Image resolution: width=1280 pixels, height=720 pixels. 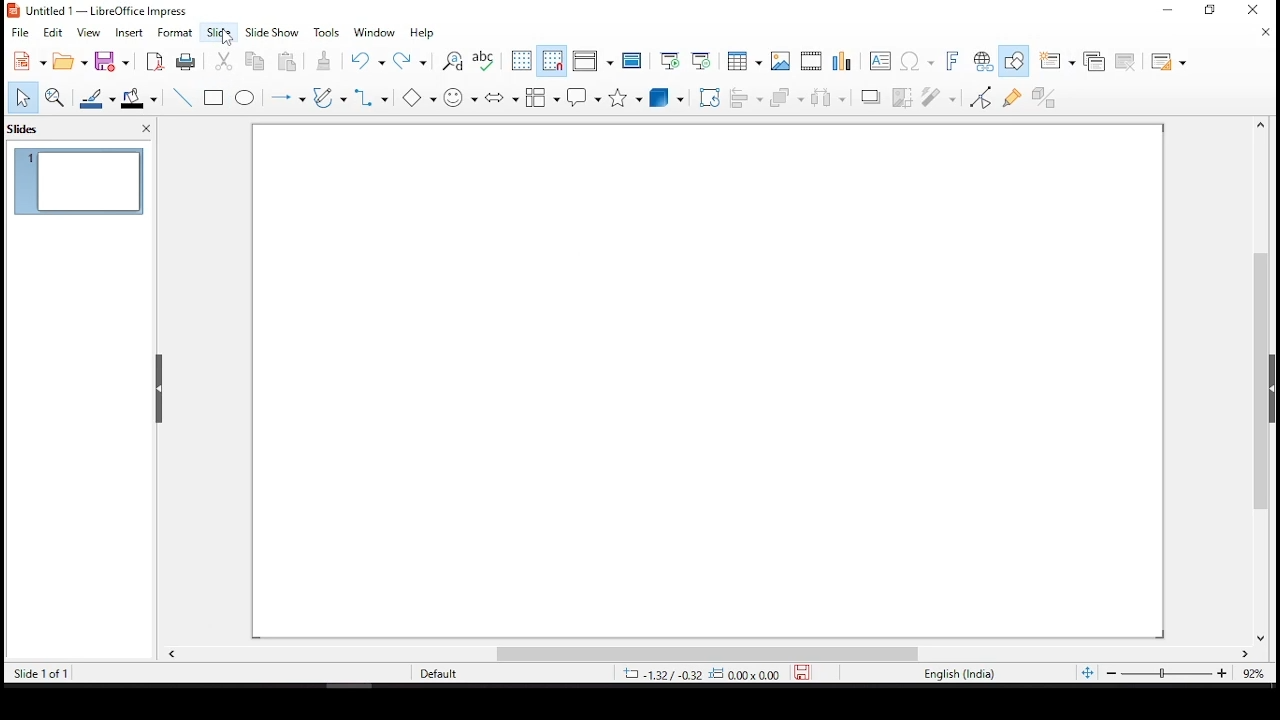 I want to click on line, so click(x=183, y=96).